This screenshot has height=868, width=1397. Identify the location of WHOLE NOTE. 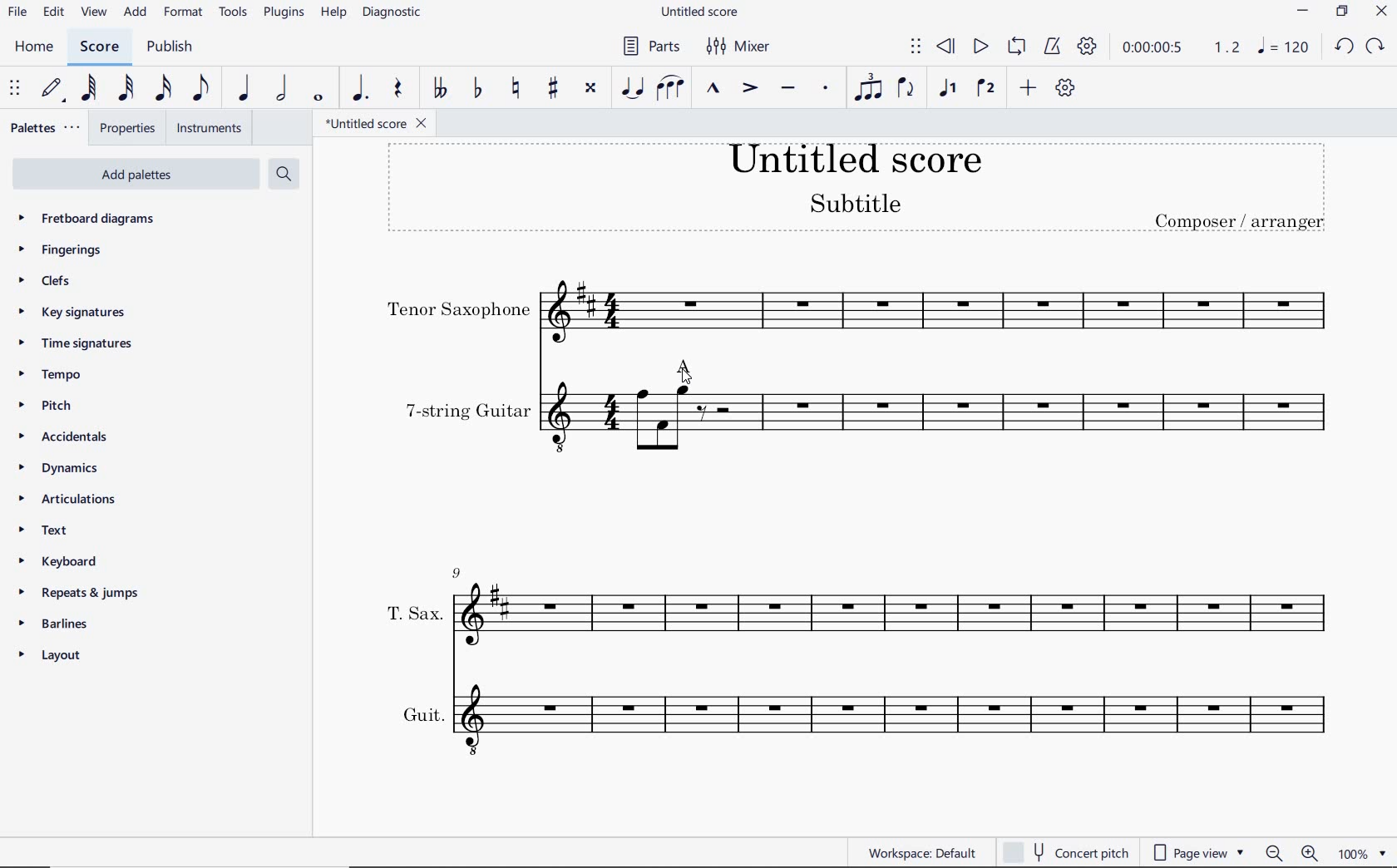
(317, 100).